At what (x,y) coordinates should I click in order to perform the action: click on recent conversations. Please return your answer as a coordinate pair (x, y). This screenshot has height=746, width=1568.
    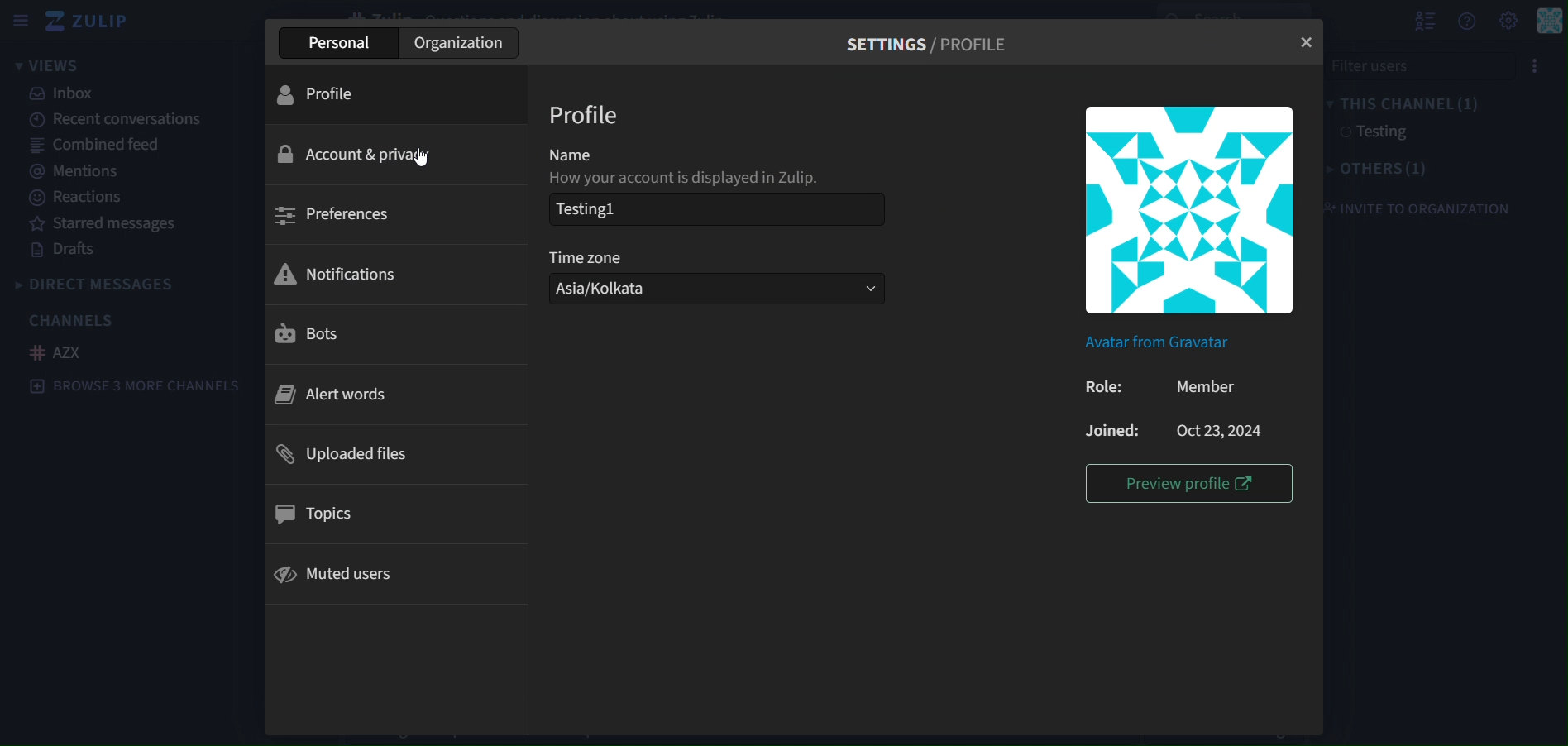
    Looking at the image, I should click on (113, 118).